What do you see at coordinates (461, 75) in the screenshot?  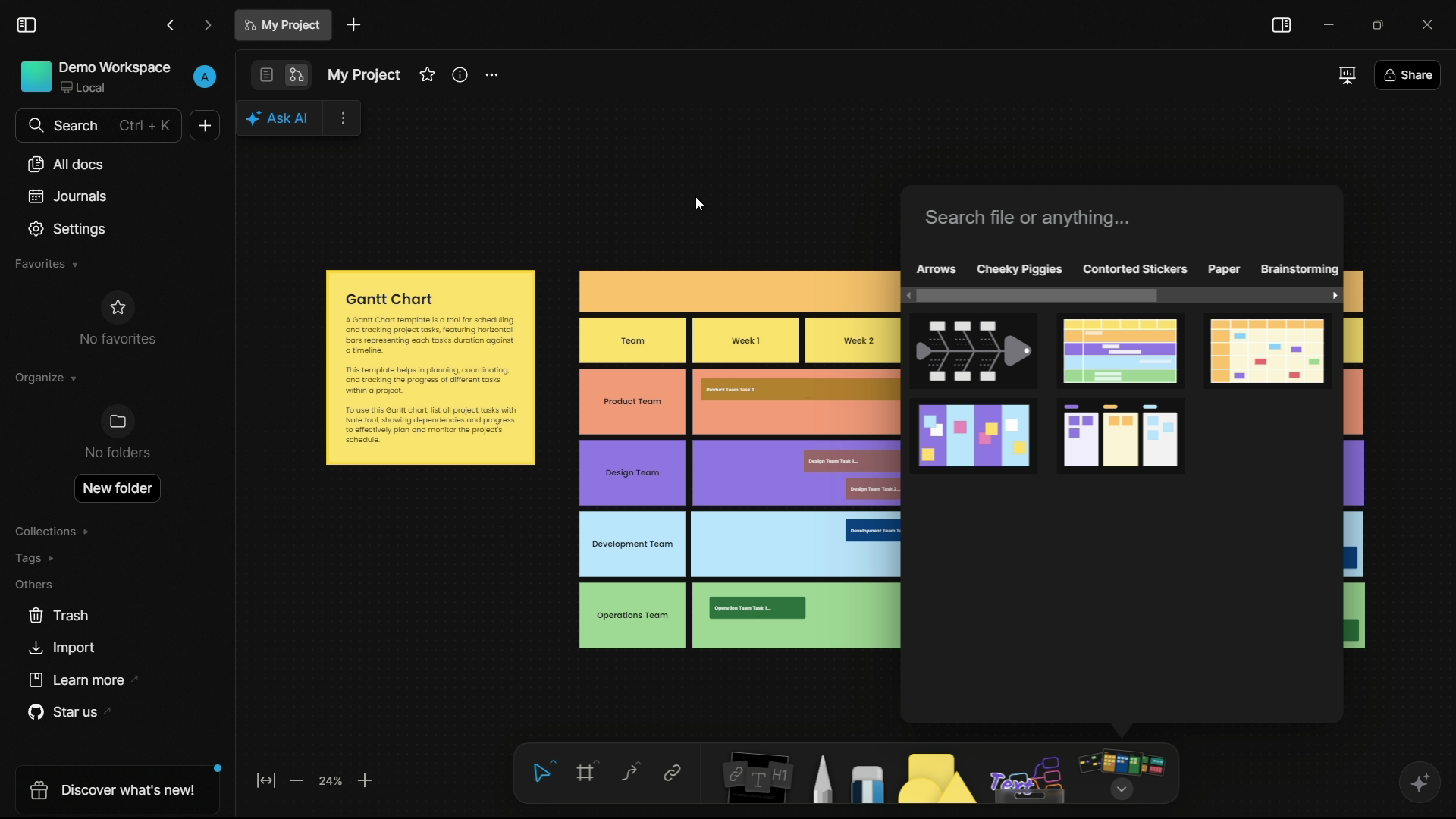 I see `information` at bounding box center [461, 75].